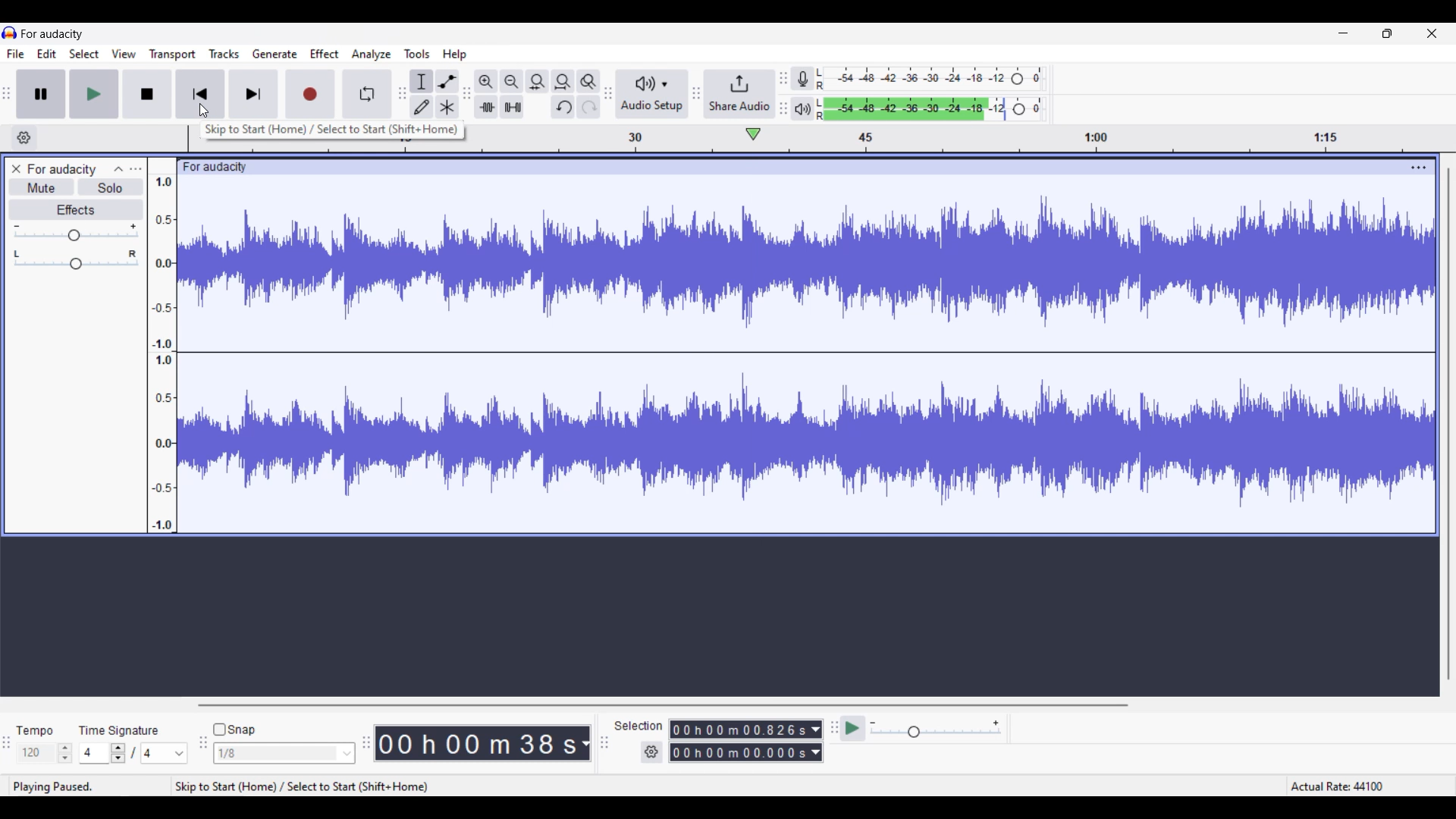 The height and width of the screenshot is (819, 1456). Describe the element at coordinates (62, 170) in the screenshot. I see `Project name` at that location.